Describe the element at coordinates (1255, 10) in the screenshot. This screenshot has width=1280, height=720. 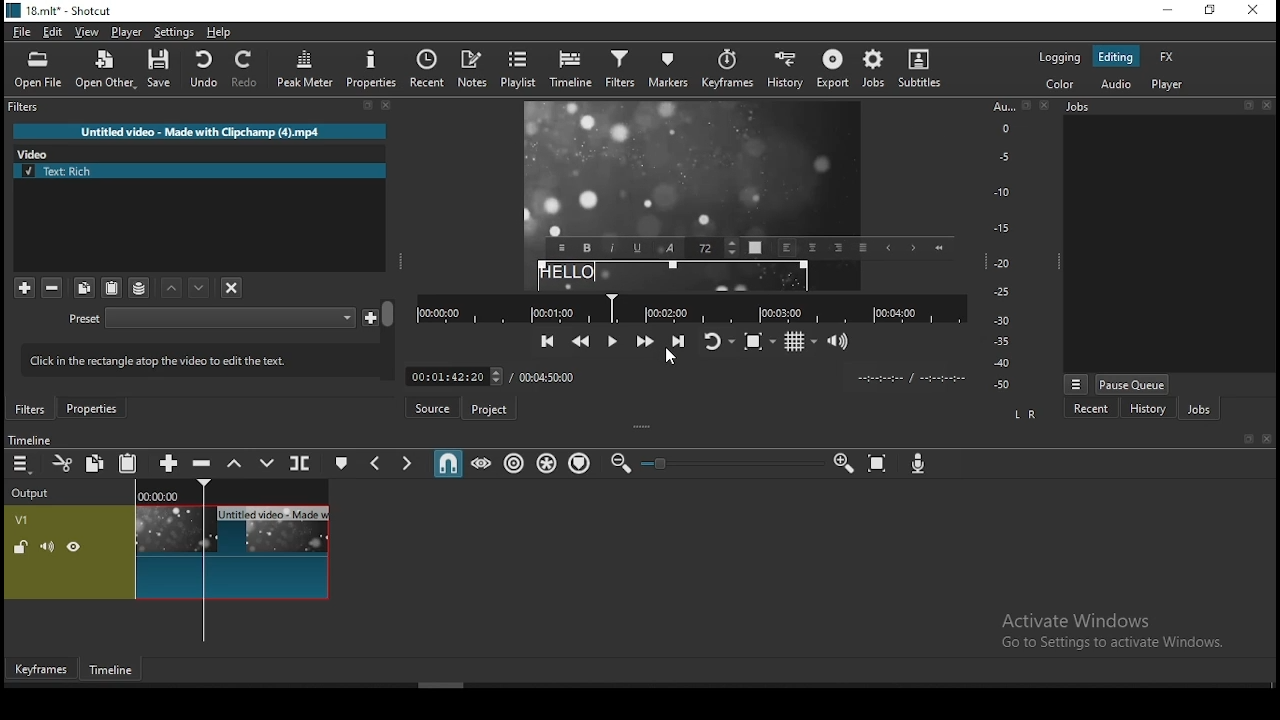
I see `close window` at that location.